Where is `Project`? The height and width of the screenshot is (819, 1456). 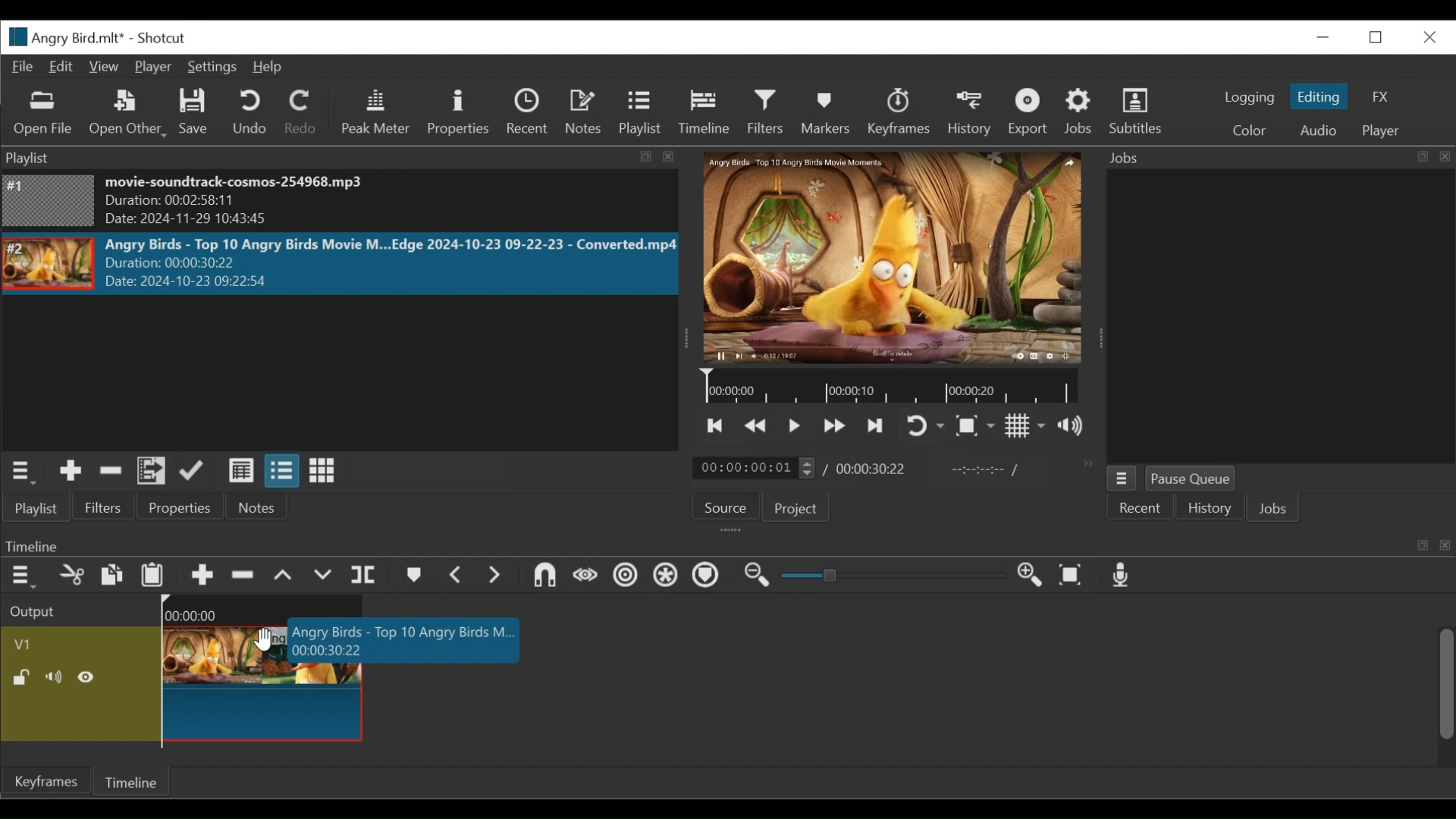 Project is located at coordinates (794, 508).